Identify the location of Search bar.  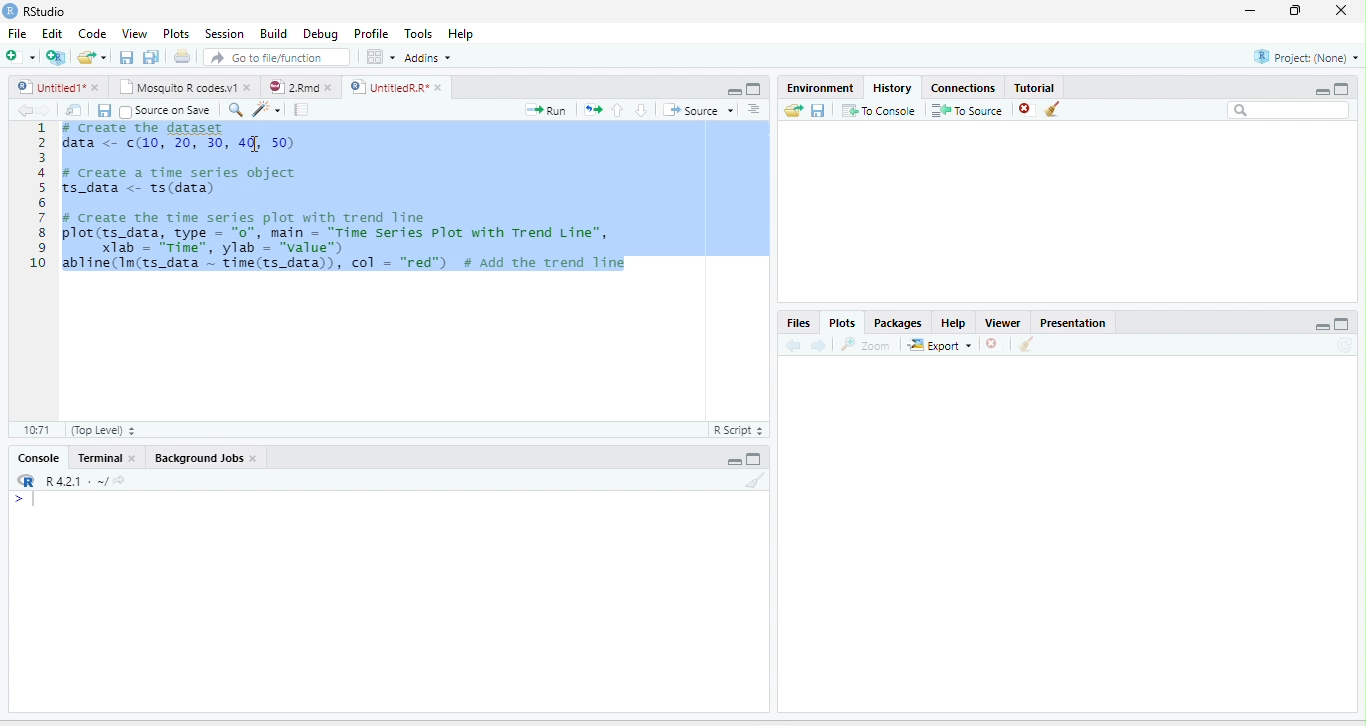
(1288, 110).